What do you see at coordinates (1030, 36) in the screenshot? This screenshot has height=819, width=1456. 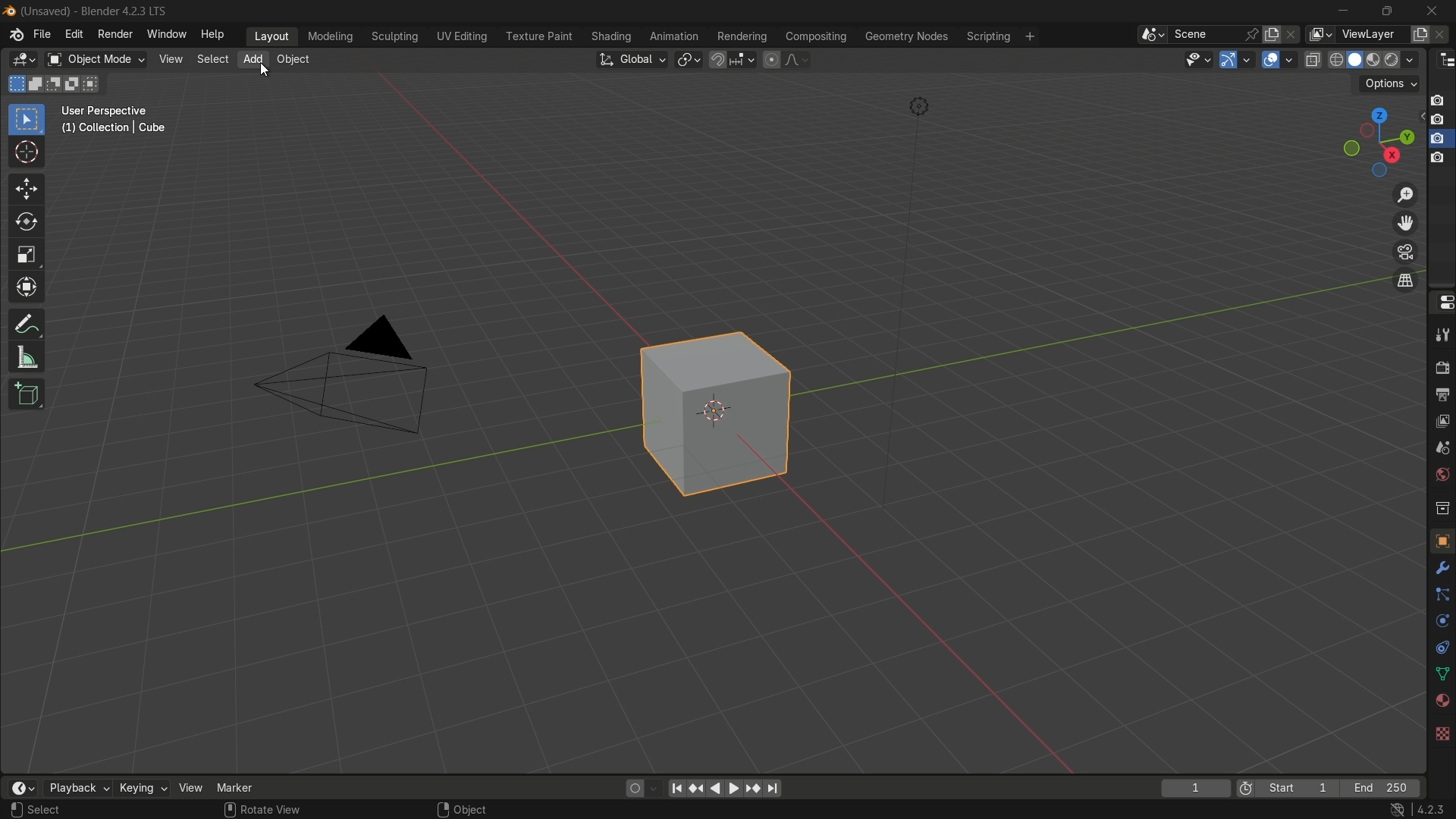 I see `add workplace` at bounding box center [1030, 36].